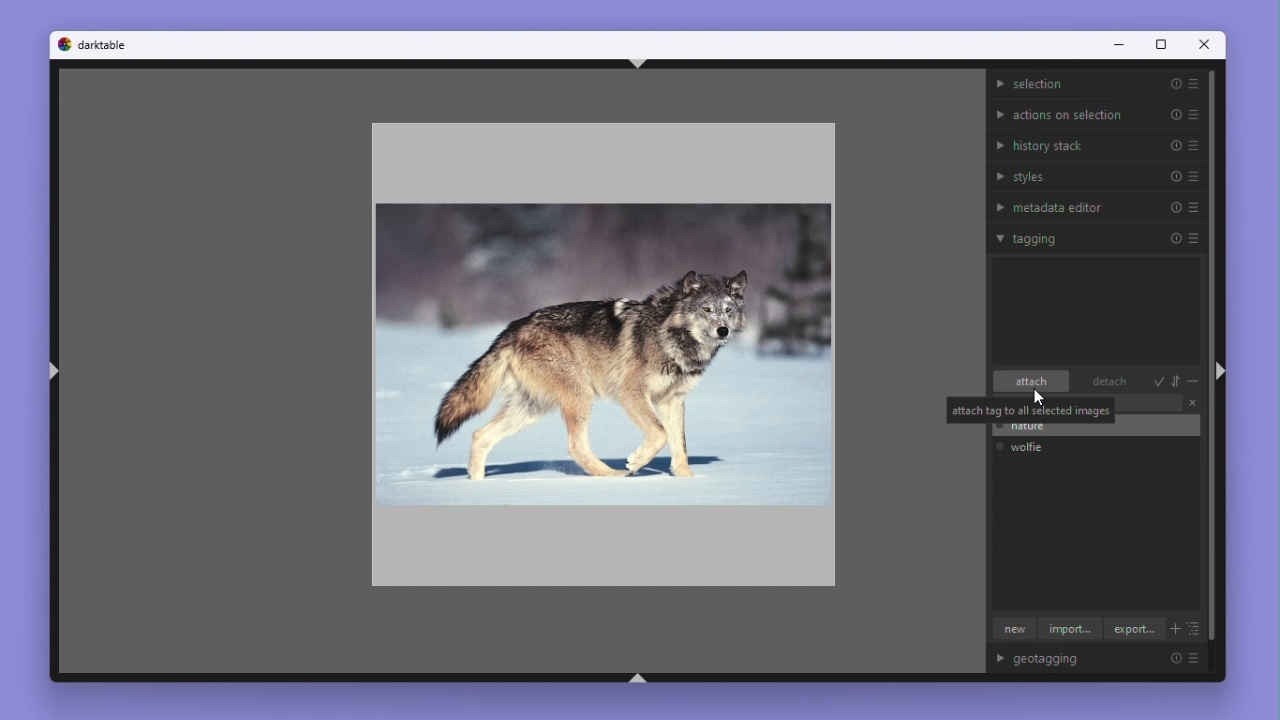 Image resolution: width=1280 pixels, height=720 pixels. I want to click on Dark Table, so click(104, 44).